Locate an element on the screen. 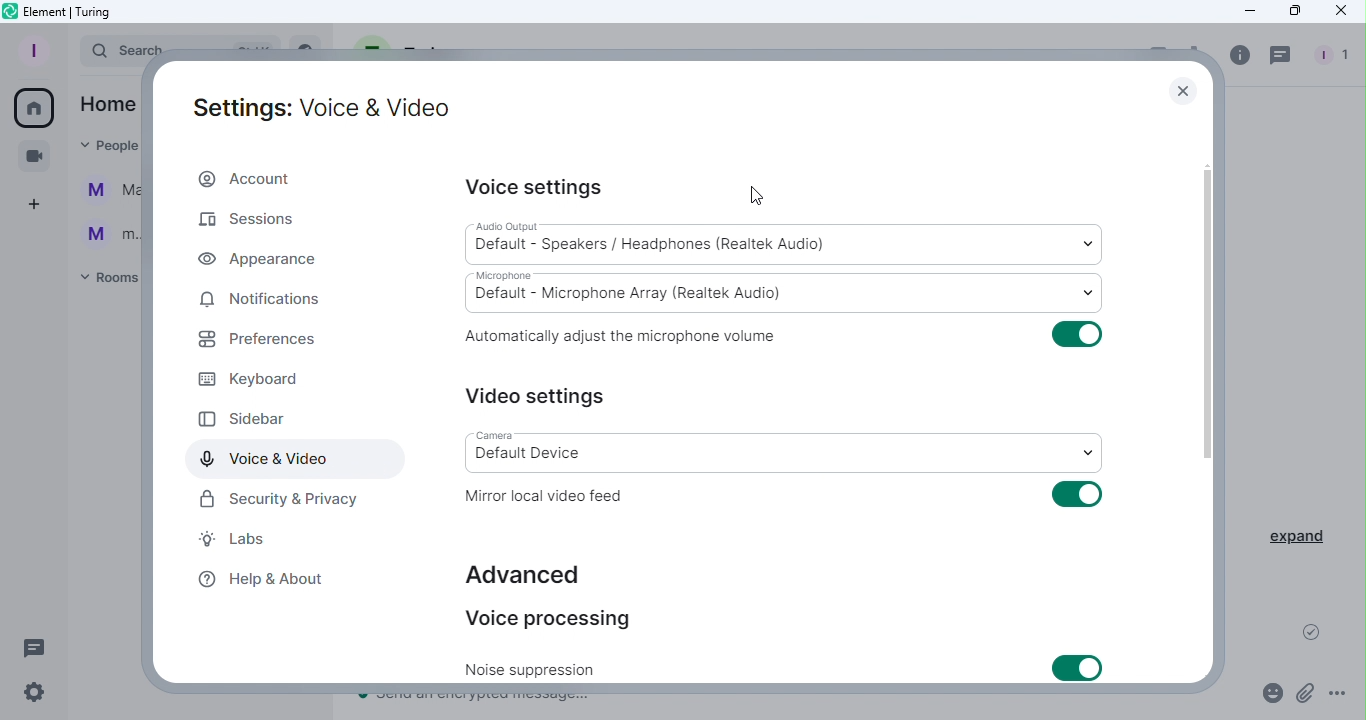 This screenshot has width=1366, height=720. Voice and video is located at coordinates (279, 459).